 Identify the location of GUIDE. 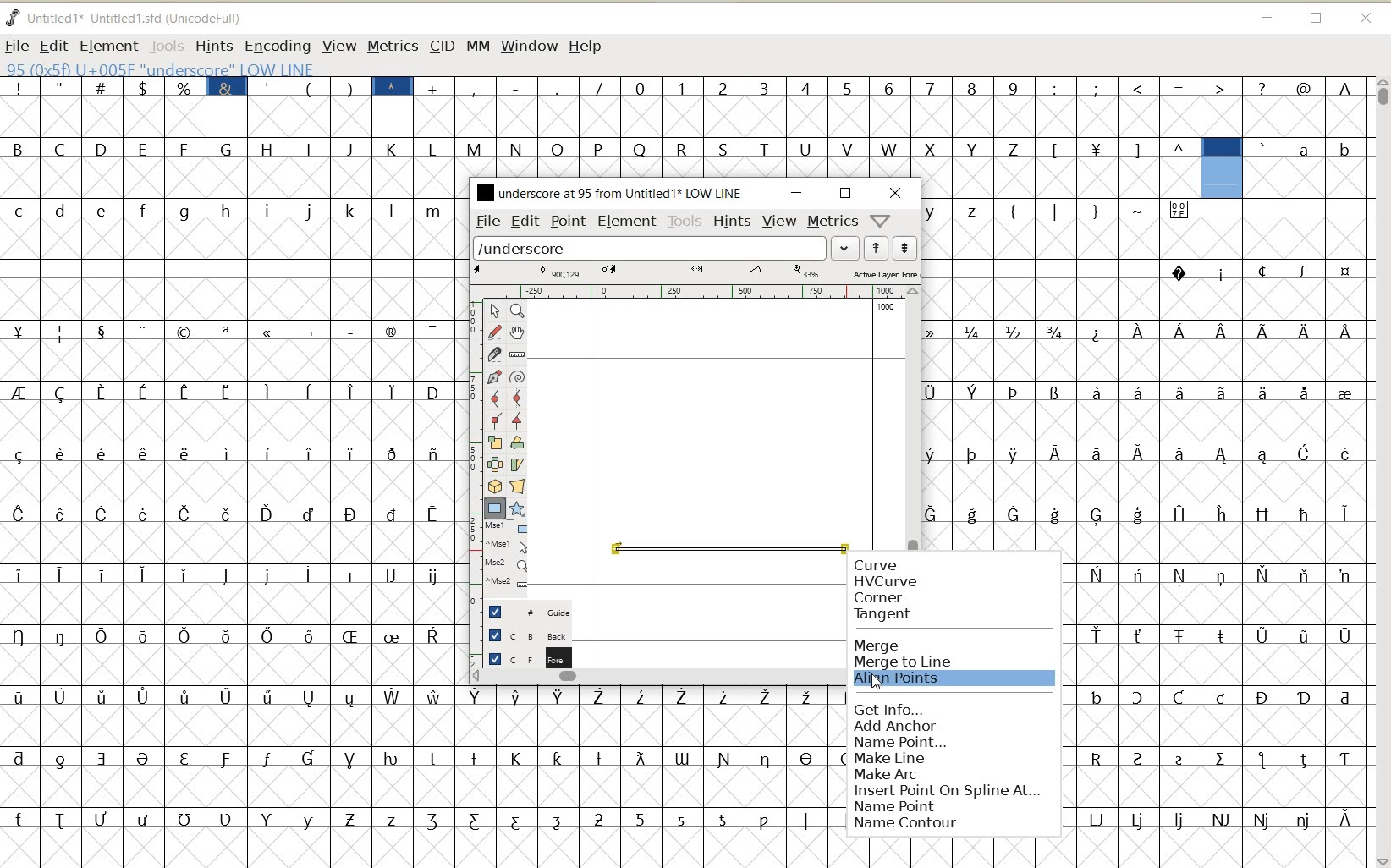
(525, 610).